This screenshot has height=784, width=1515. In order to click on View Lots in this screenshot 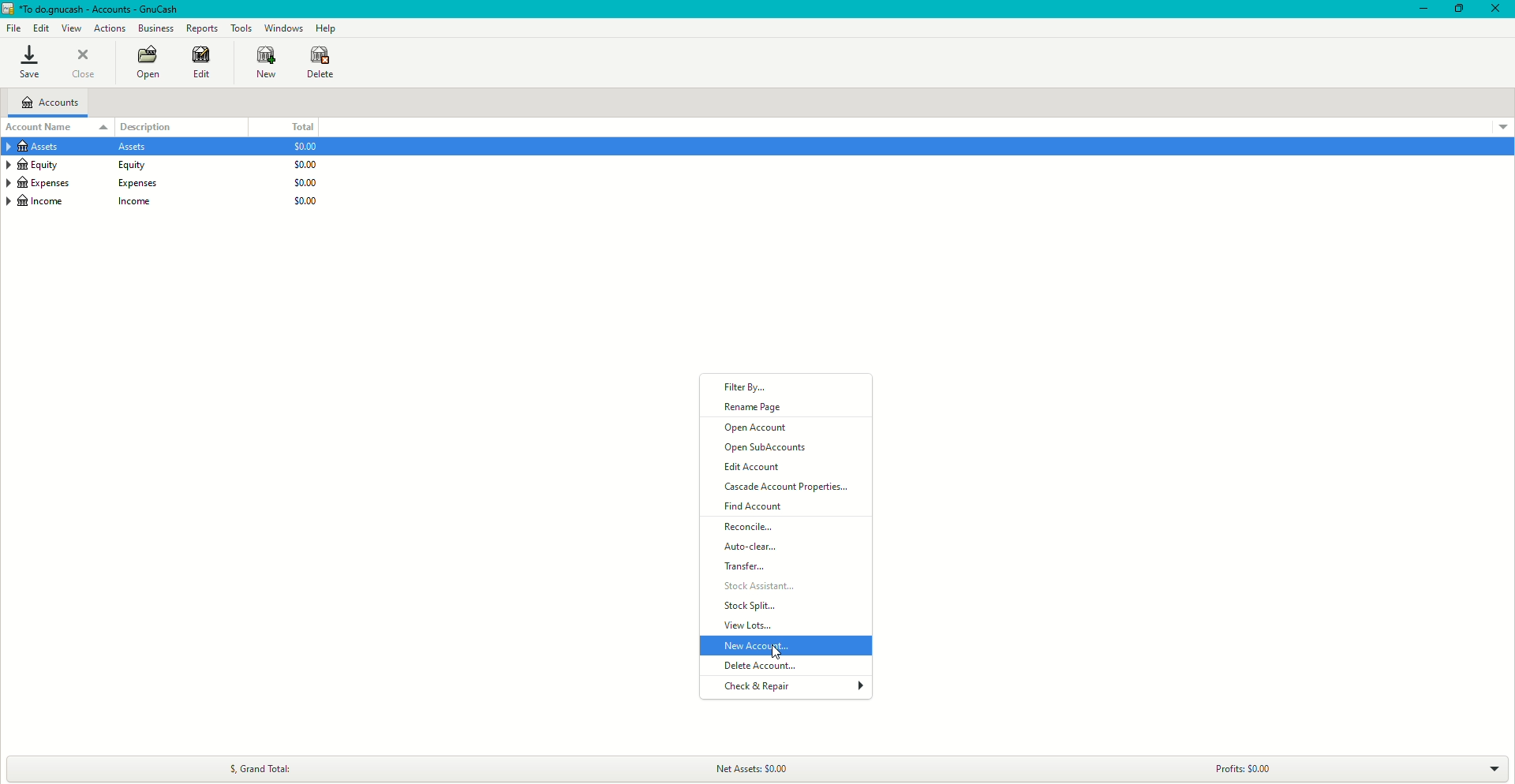, I will do `click(751, 627)`.